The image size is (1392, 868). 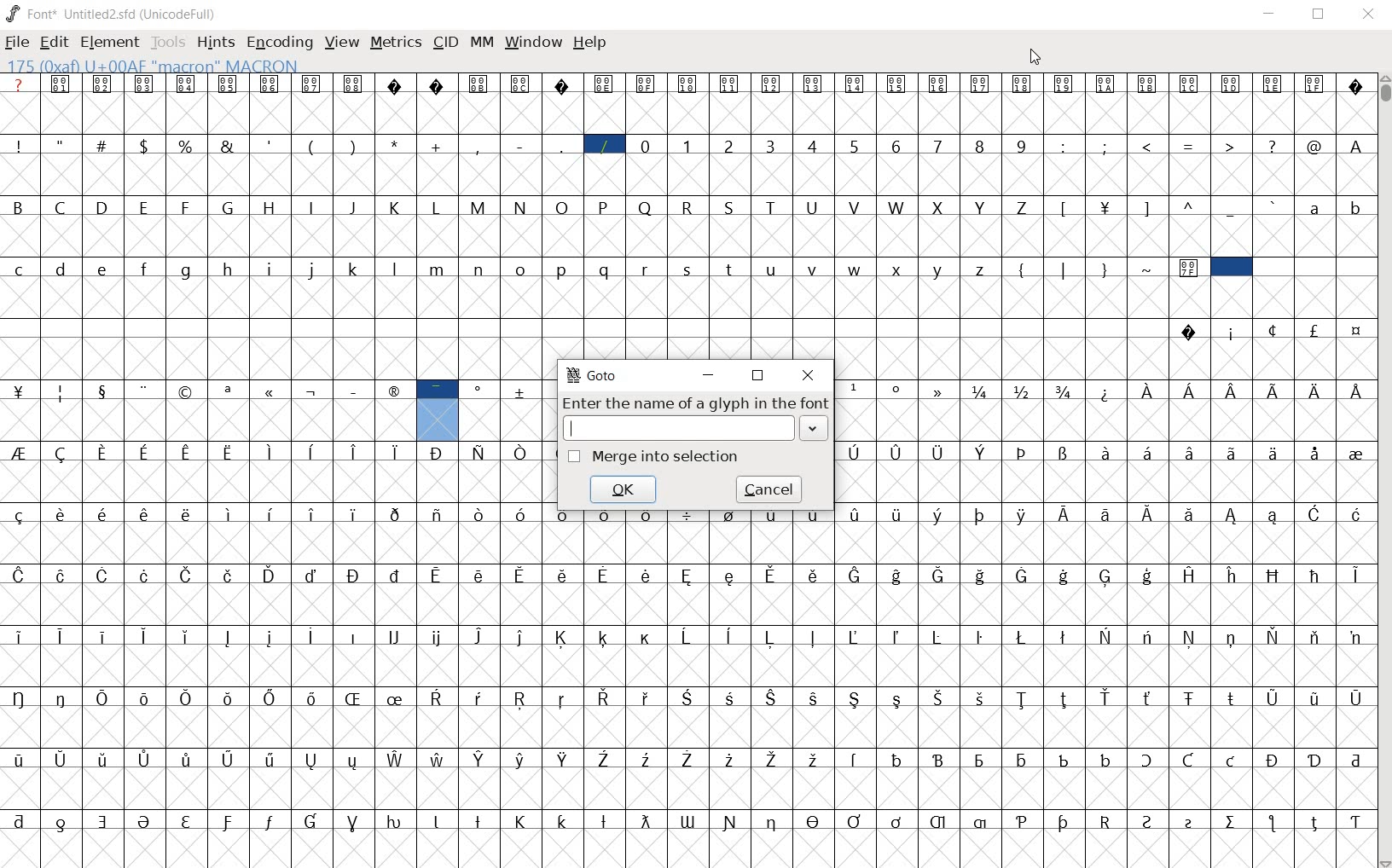 I want to click on soecial characters, so click(x=310, y=166).